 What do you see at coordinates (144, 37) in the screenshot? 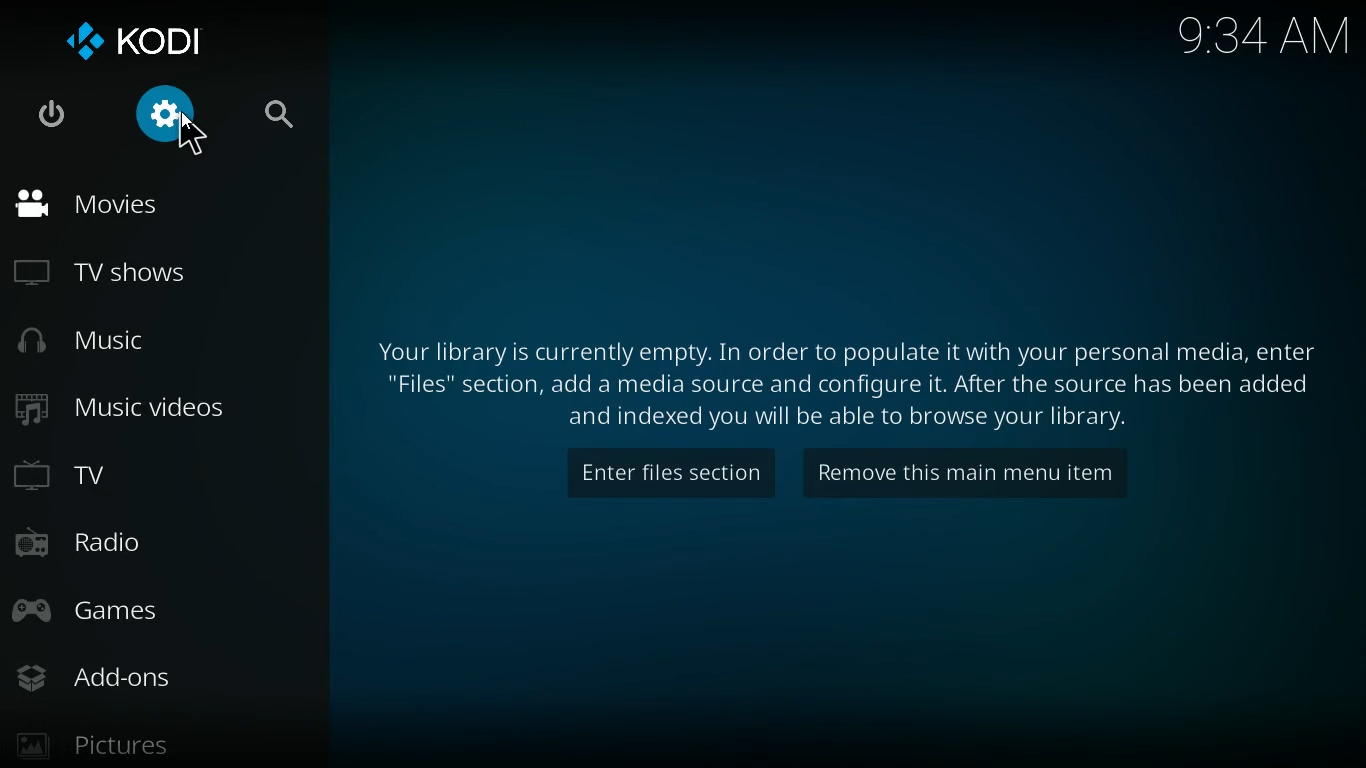
I see `kodi logo` at bounding box center [144, 37].